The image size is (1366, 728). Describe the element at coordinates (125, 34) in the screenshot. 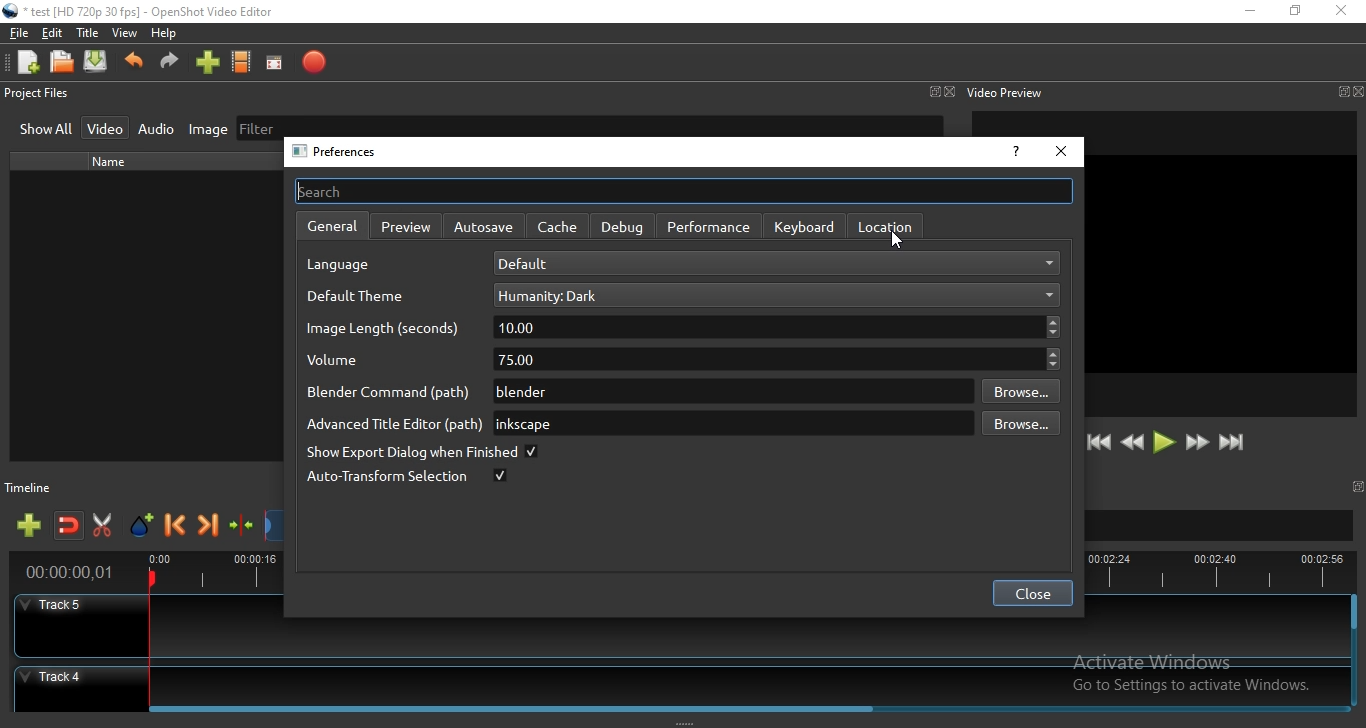

I see `View ` at that location.